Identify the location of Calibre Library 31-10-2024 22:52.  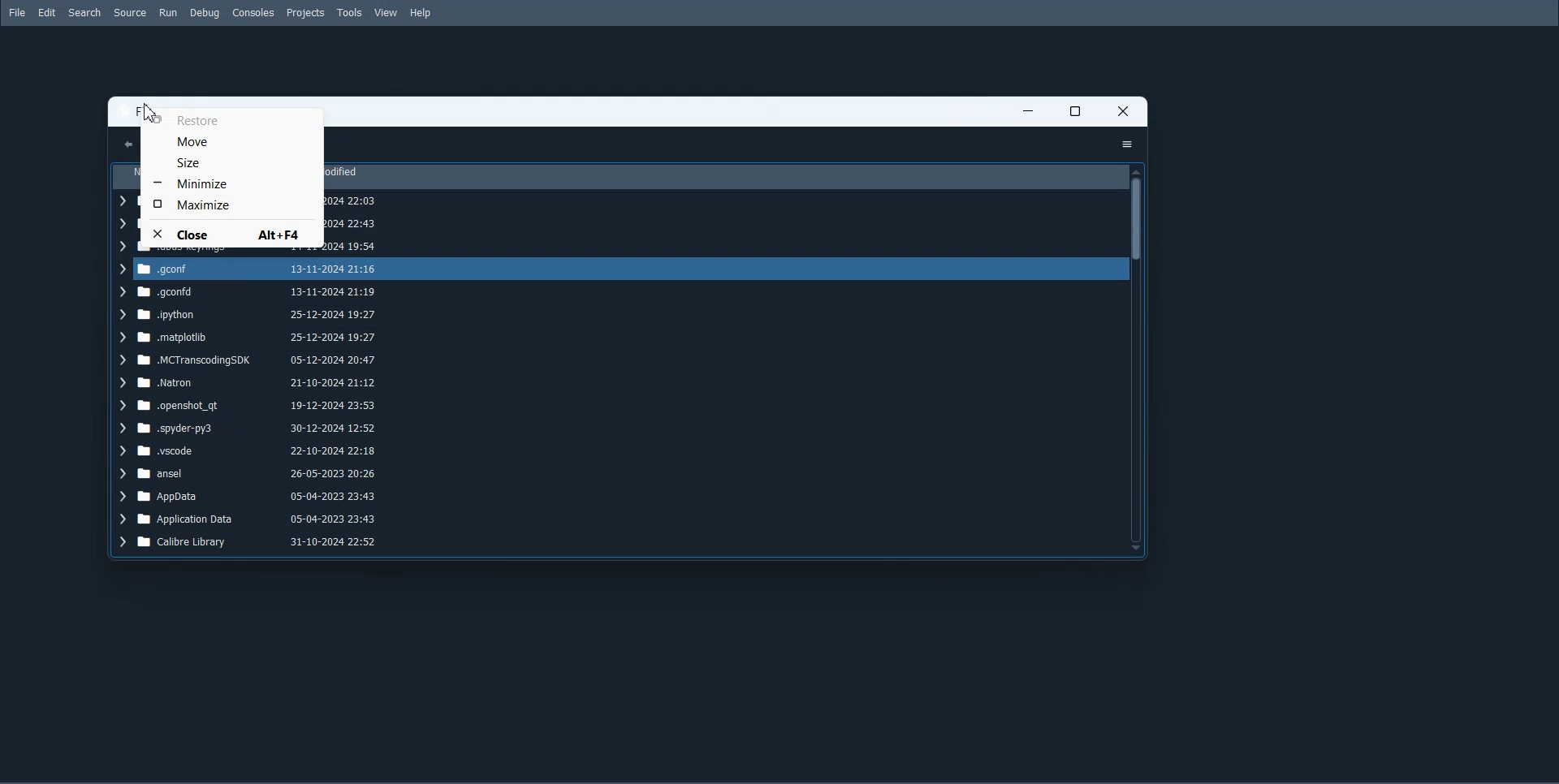
(256, 543).